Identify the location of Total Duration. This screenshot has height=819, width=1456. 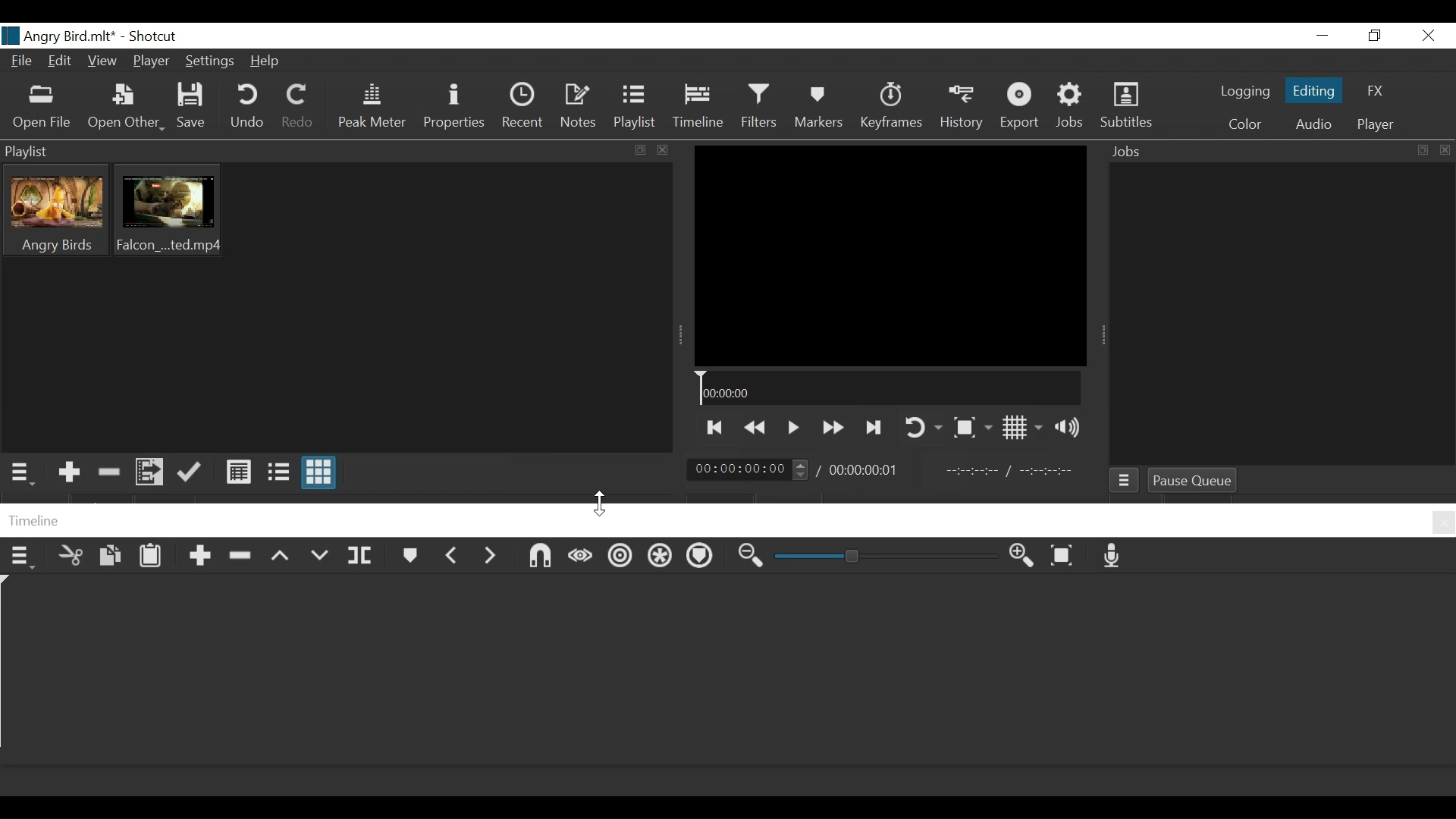
(870, 469).